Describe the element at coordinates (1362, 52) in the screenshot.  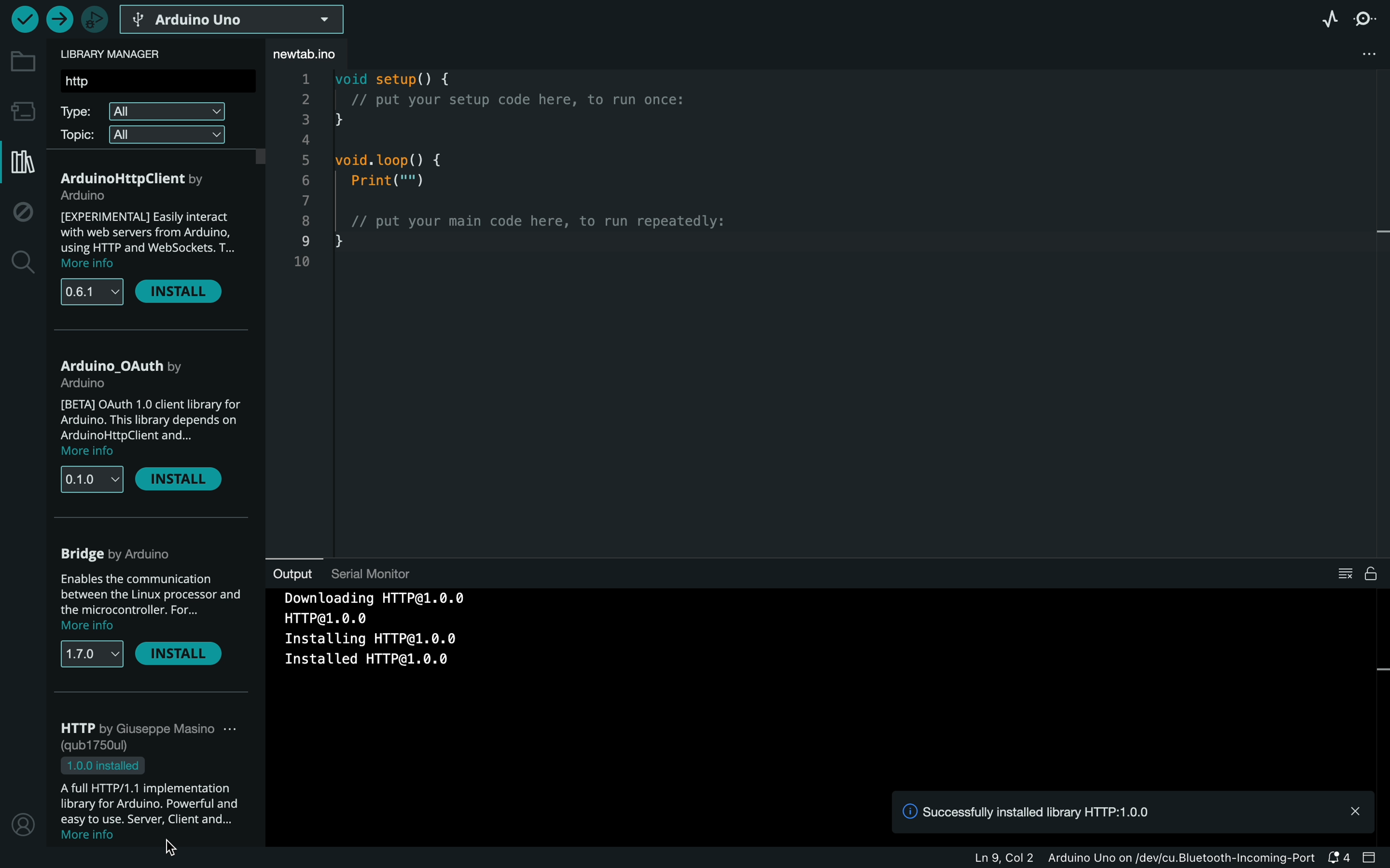
I see `file setting` at that location.